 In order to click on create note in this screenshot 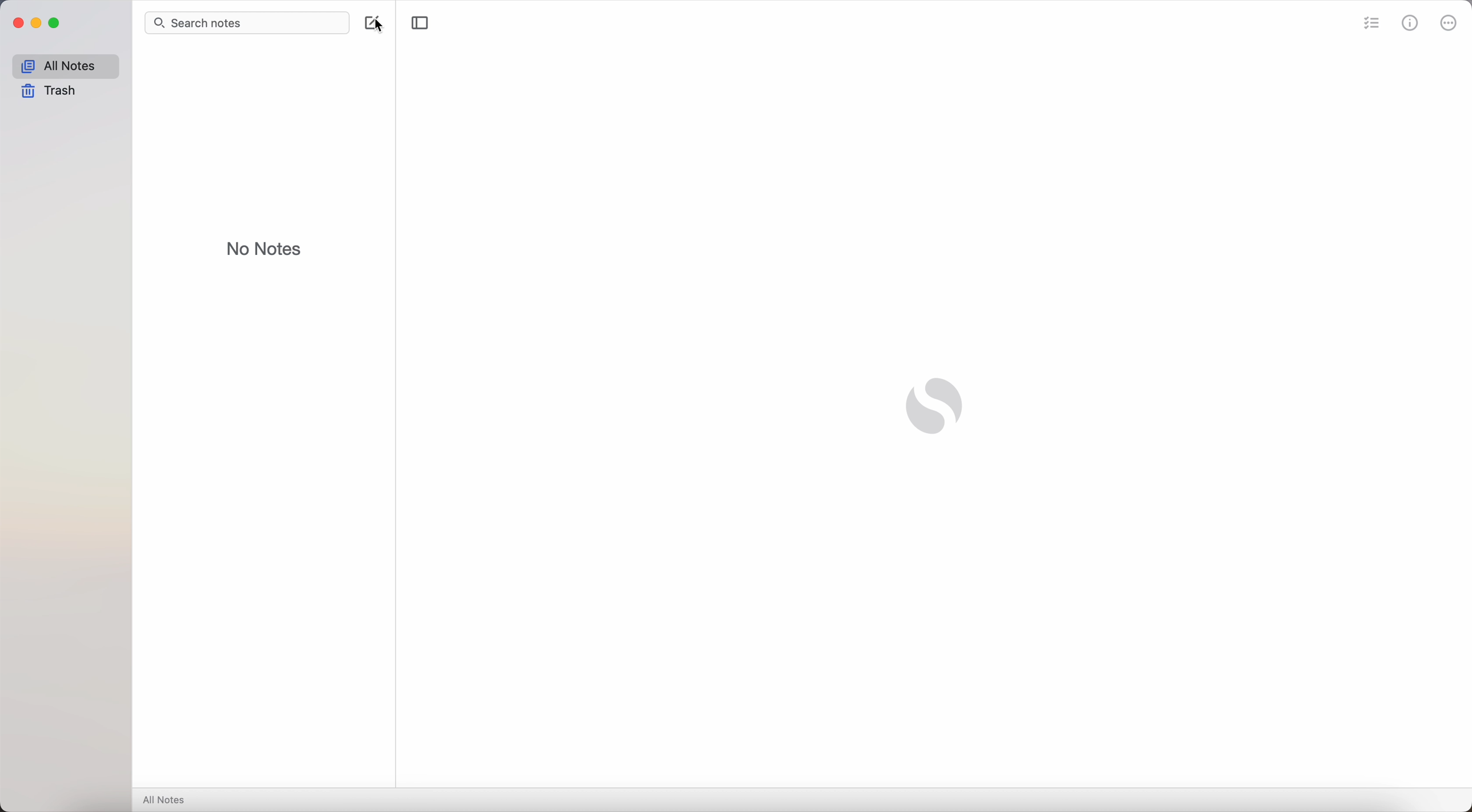, I will do `click(370, 21)`.